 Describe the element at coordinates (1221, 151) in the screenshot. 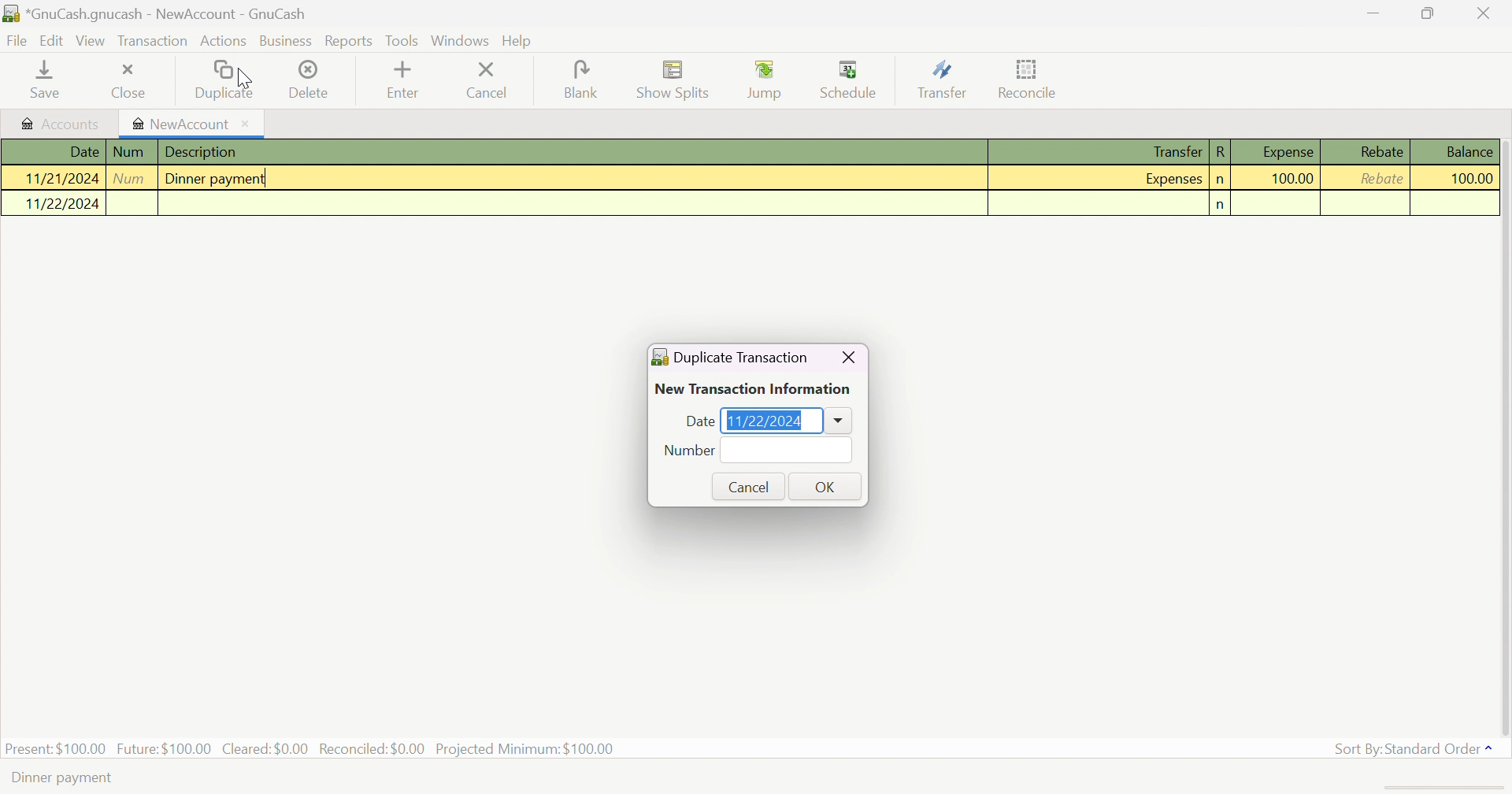

I see `R` at that location.